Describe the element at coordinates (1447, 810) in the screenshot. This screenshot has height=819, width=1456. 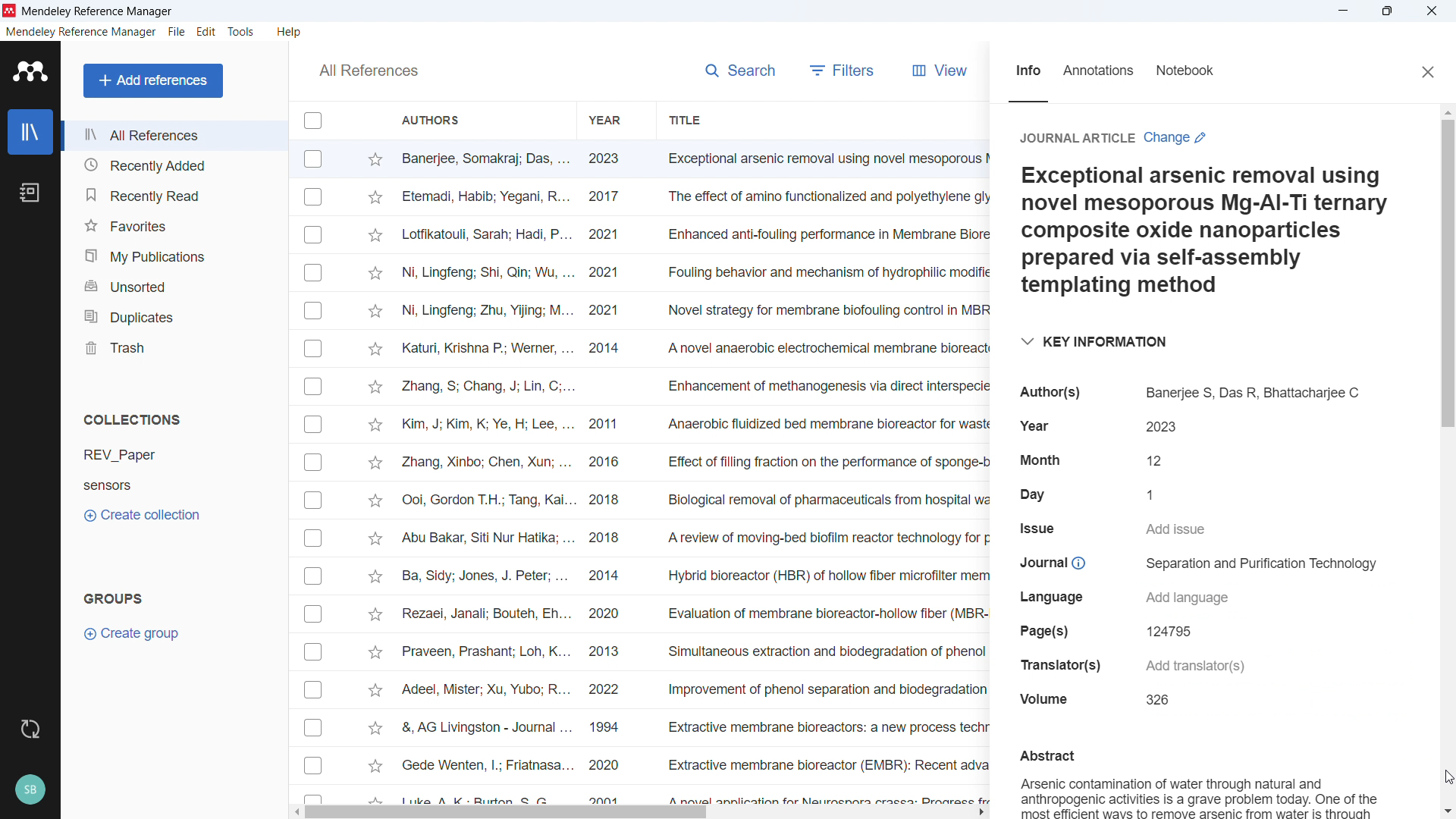
I see `Scroll down ` at that location.